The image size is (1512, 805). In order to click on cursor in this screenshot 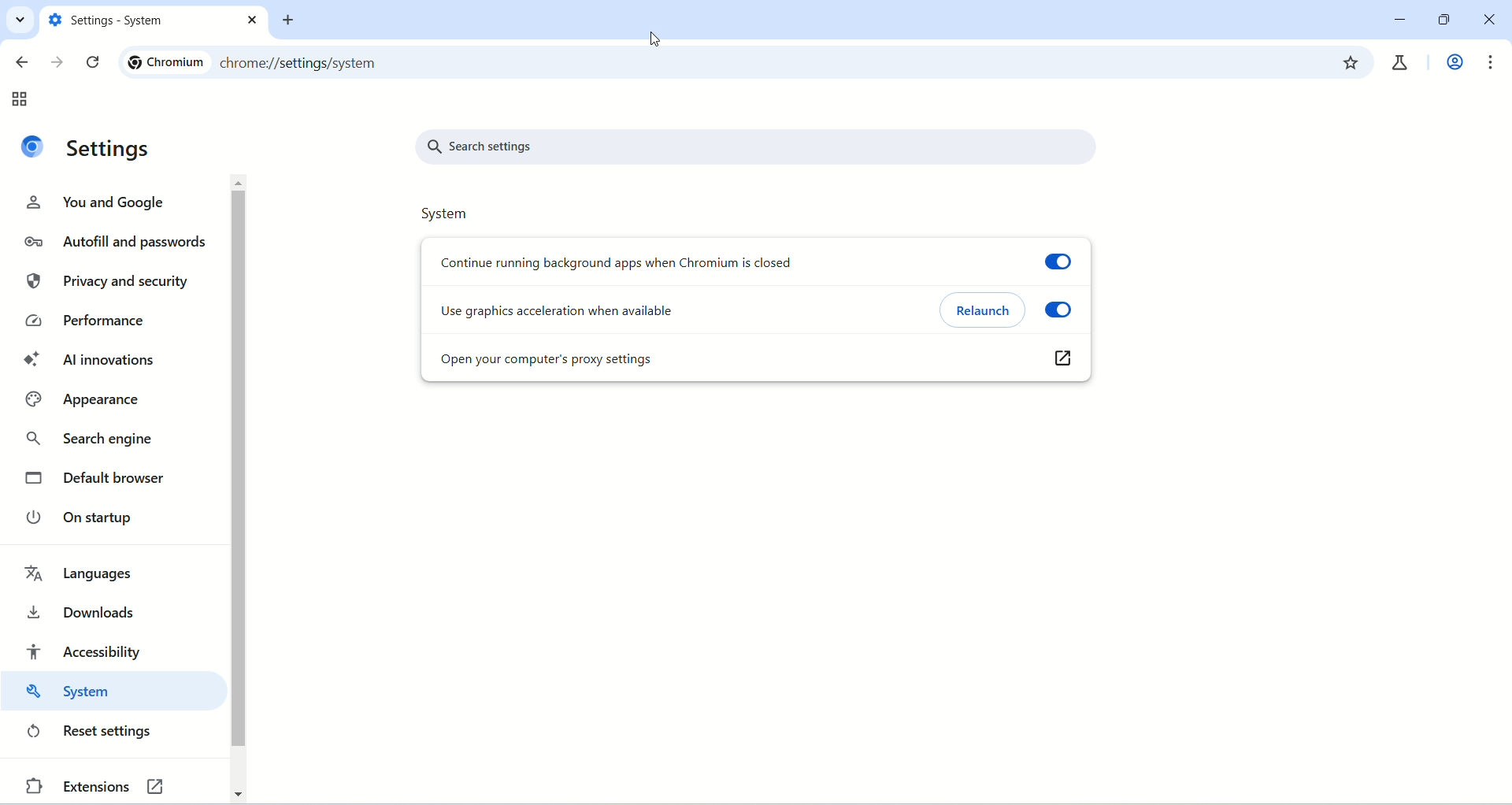, I will do `click(658, 39)`.